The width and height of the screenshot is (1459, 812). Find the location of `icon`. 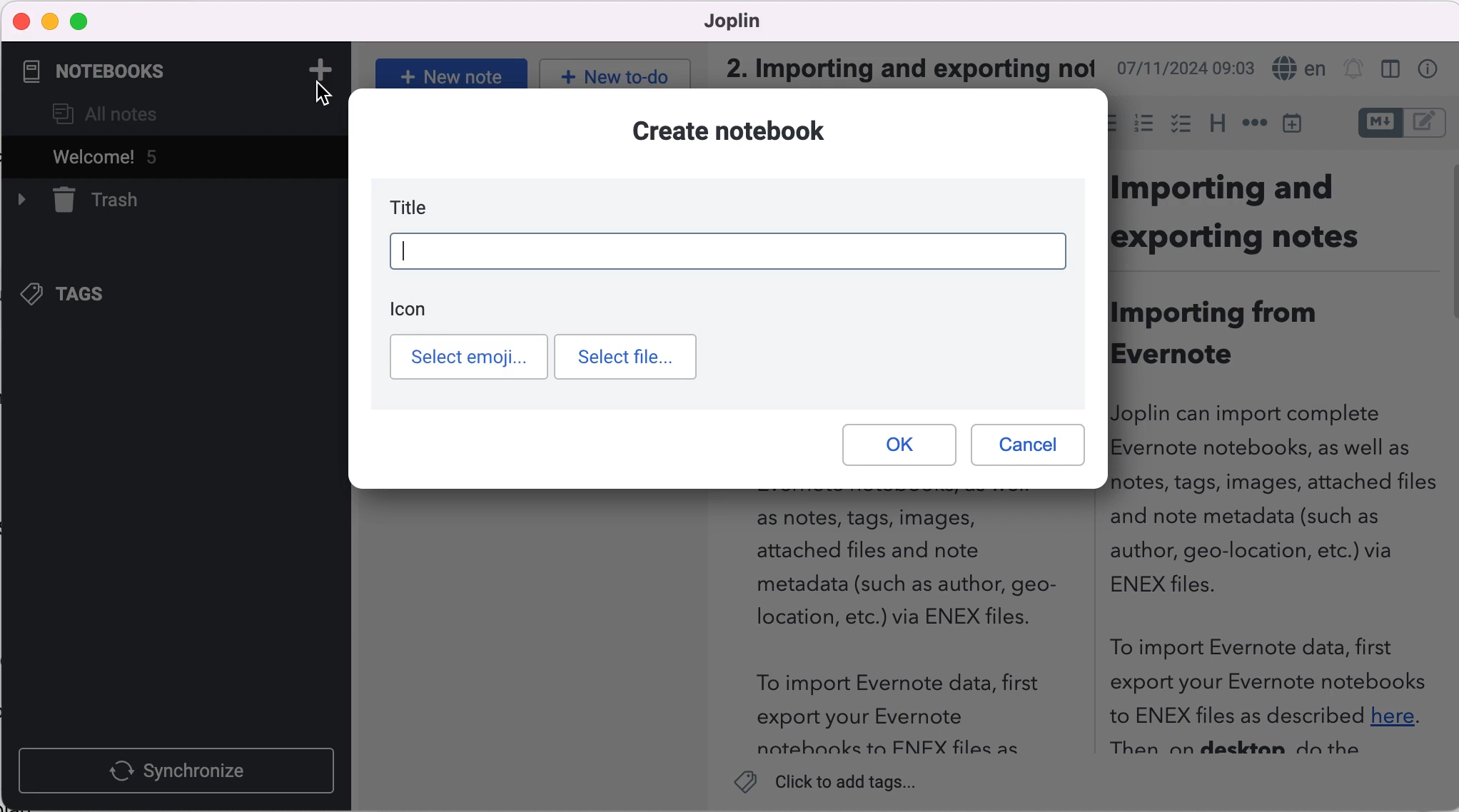

icon is located at coordinates (416, 310).